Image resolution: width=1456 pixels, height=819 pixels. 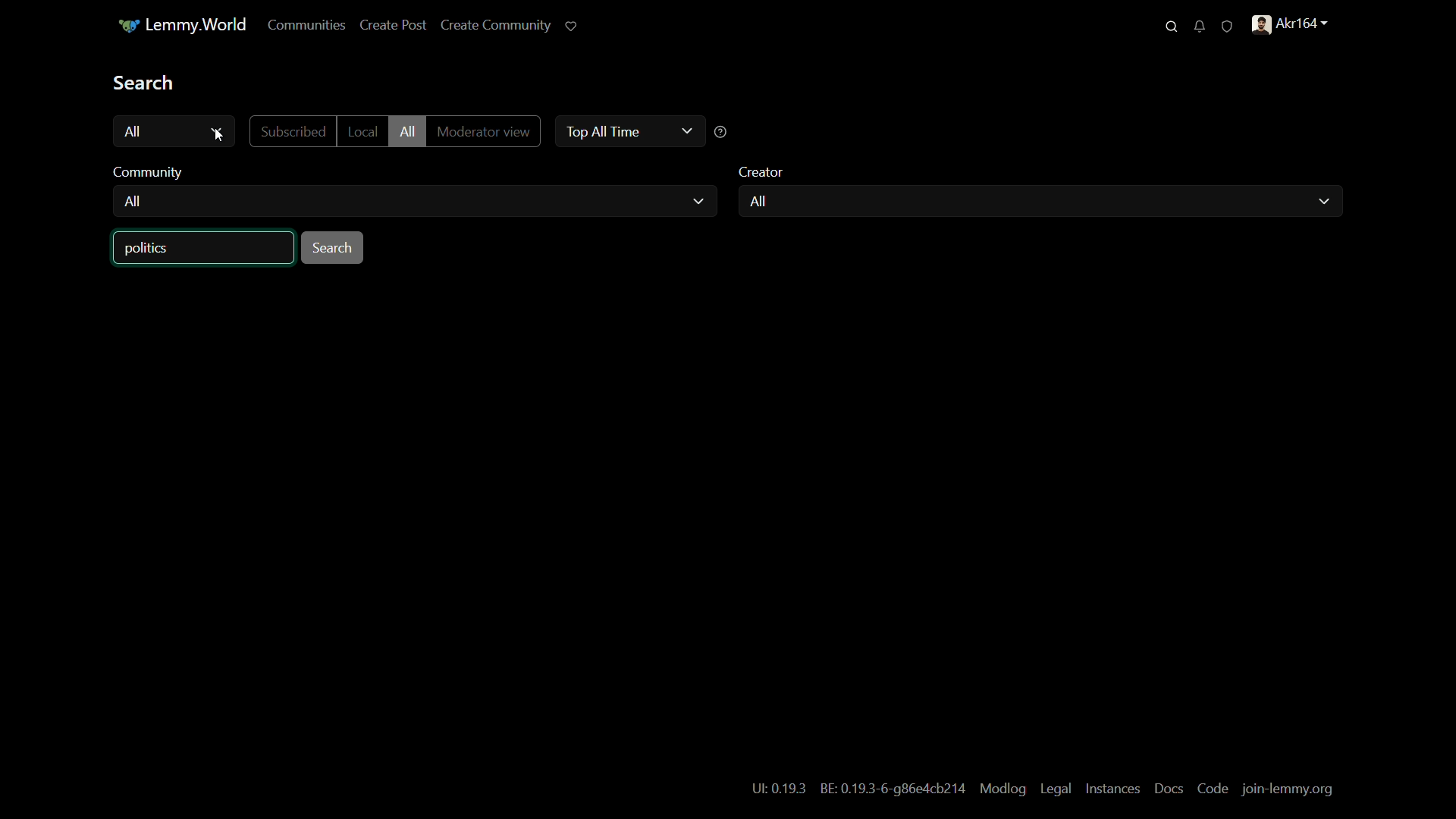 What do you see at coordinates (181, 25) in the screenshot?
I see `server name` at bounding box center [181, 25].